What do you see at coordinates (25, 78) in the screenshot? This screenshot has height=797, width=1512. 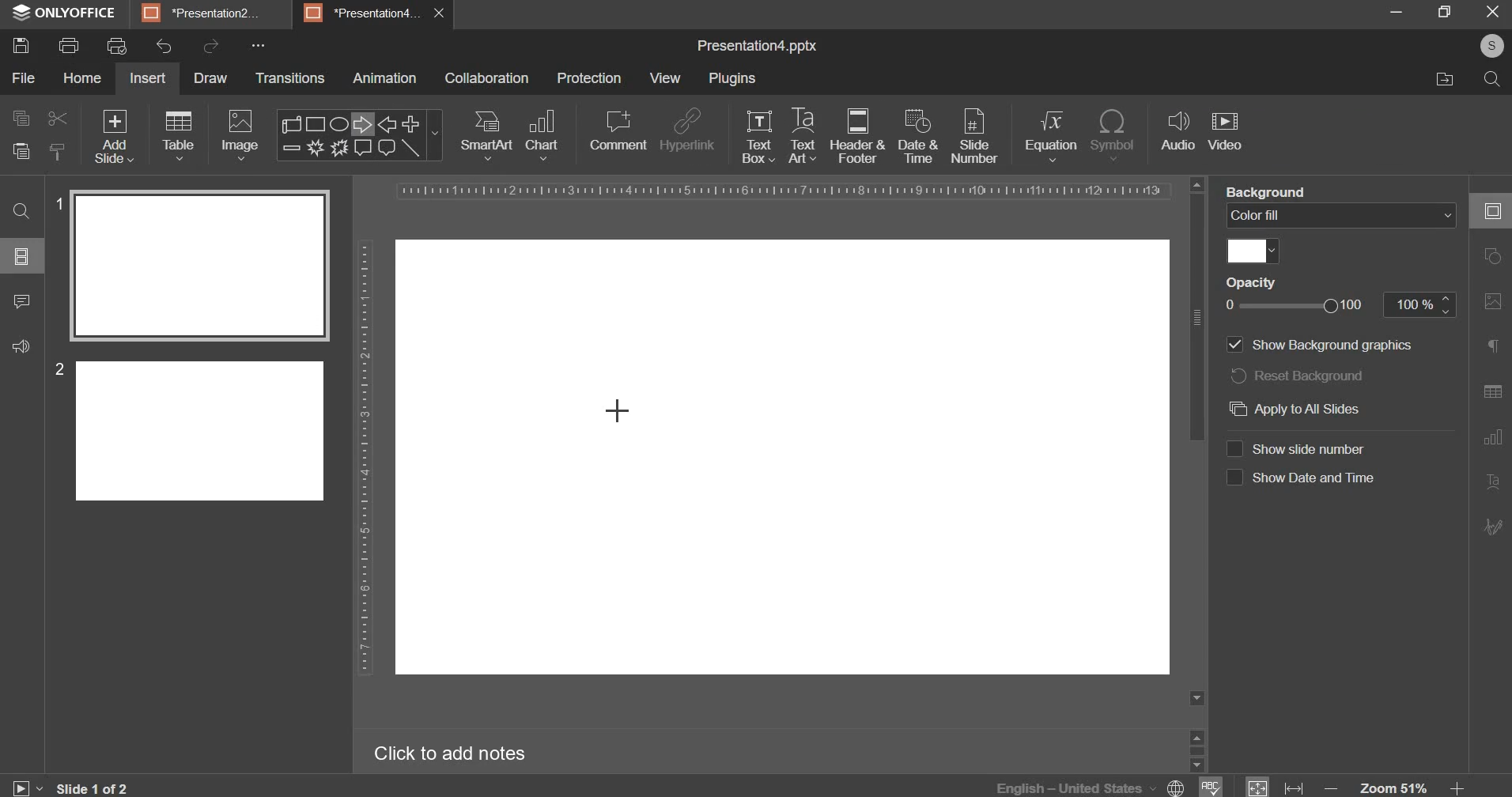 I see `file` at bounding box center [25, 78].